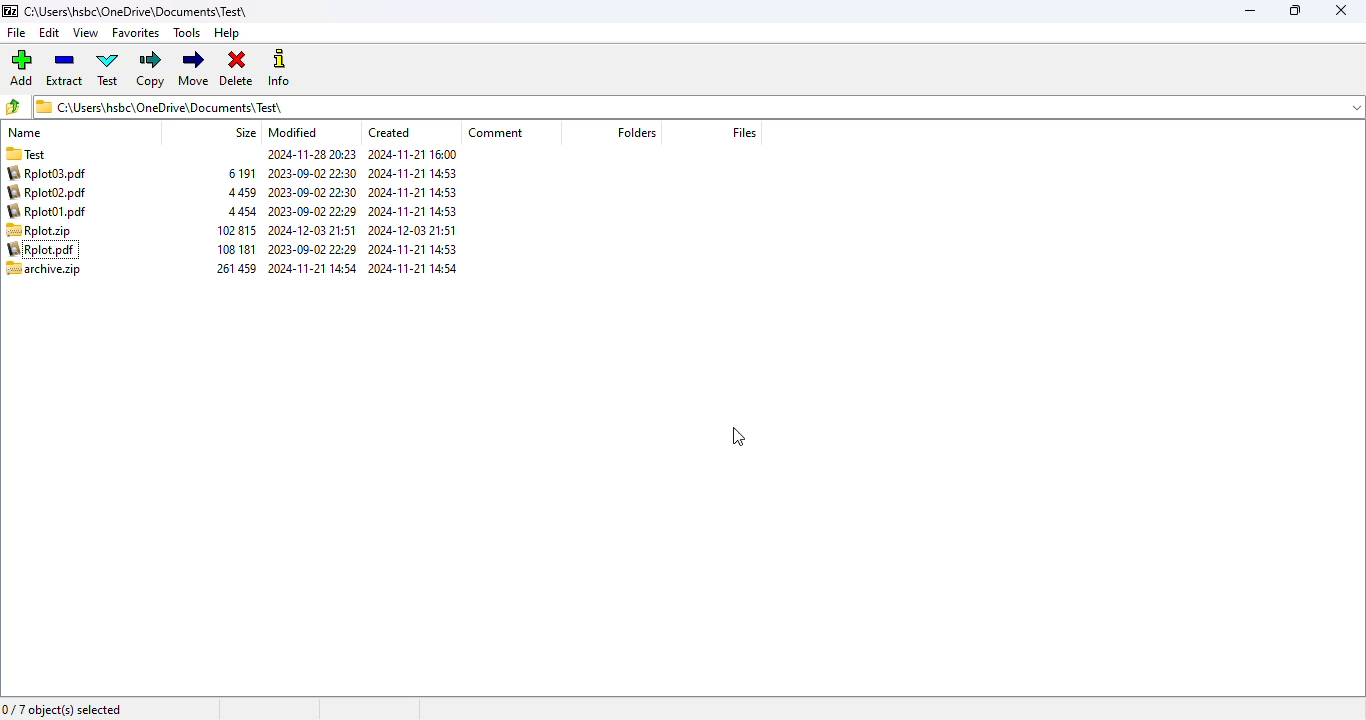 Image resolution: width=1366 pixels, height=720 pixels. What do you see at coordinates (15, 33) in the screenshot?
I see `file` at bounding box center [15, 33].